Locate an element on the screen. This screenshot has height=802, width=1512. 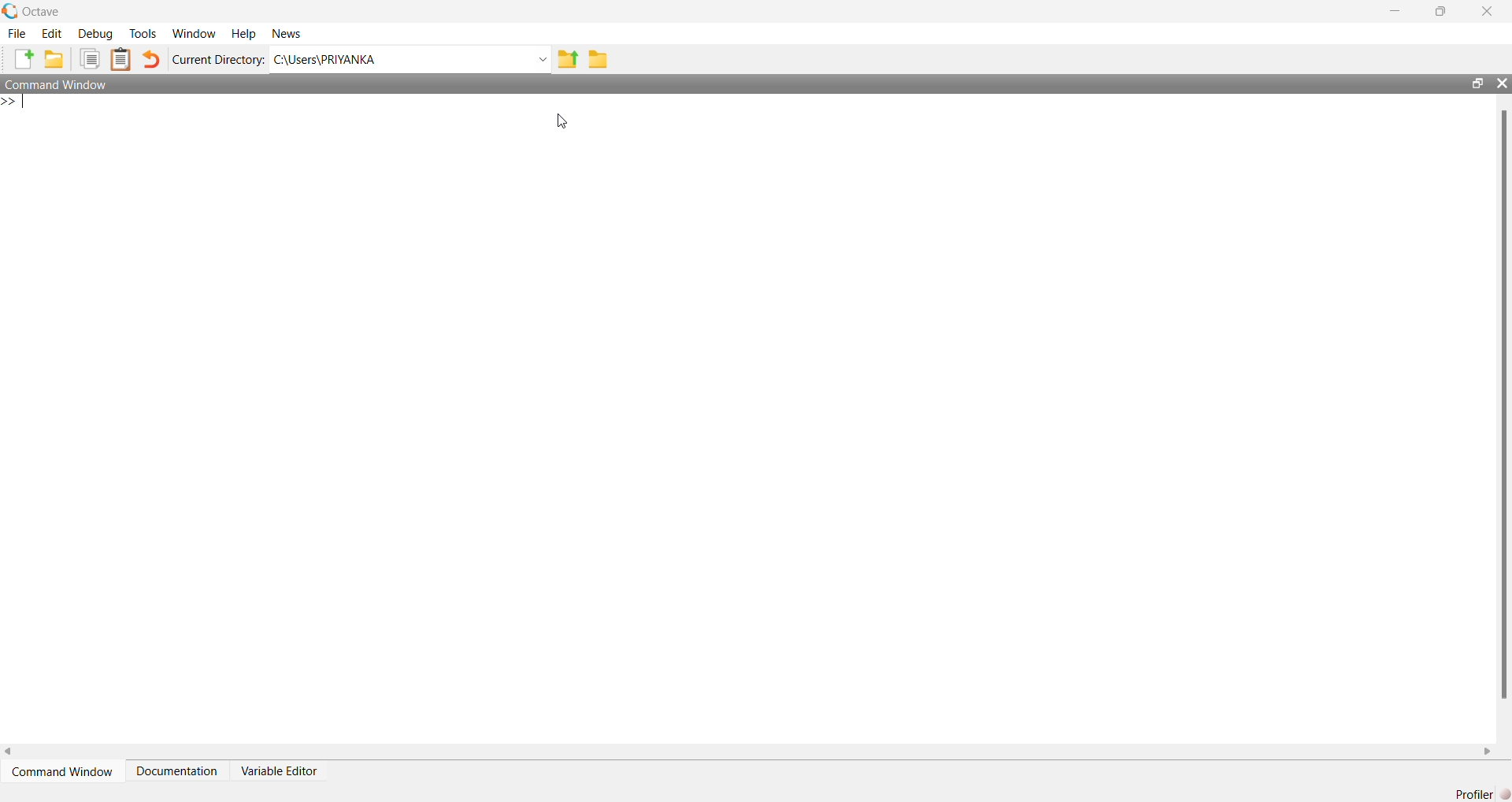
maximize is located at coordinates (1443, 9).